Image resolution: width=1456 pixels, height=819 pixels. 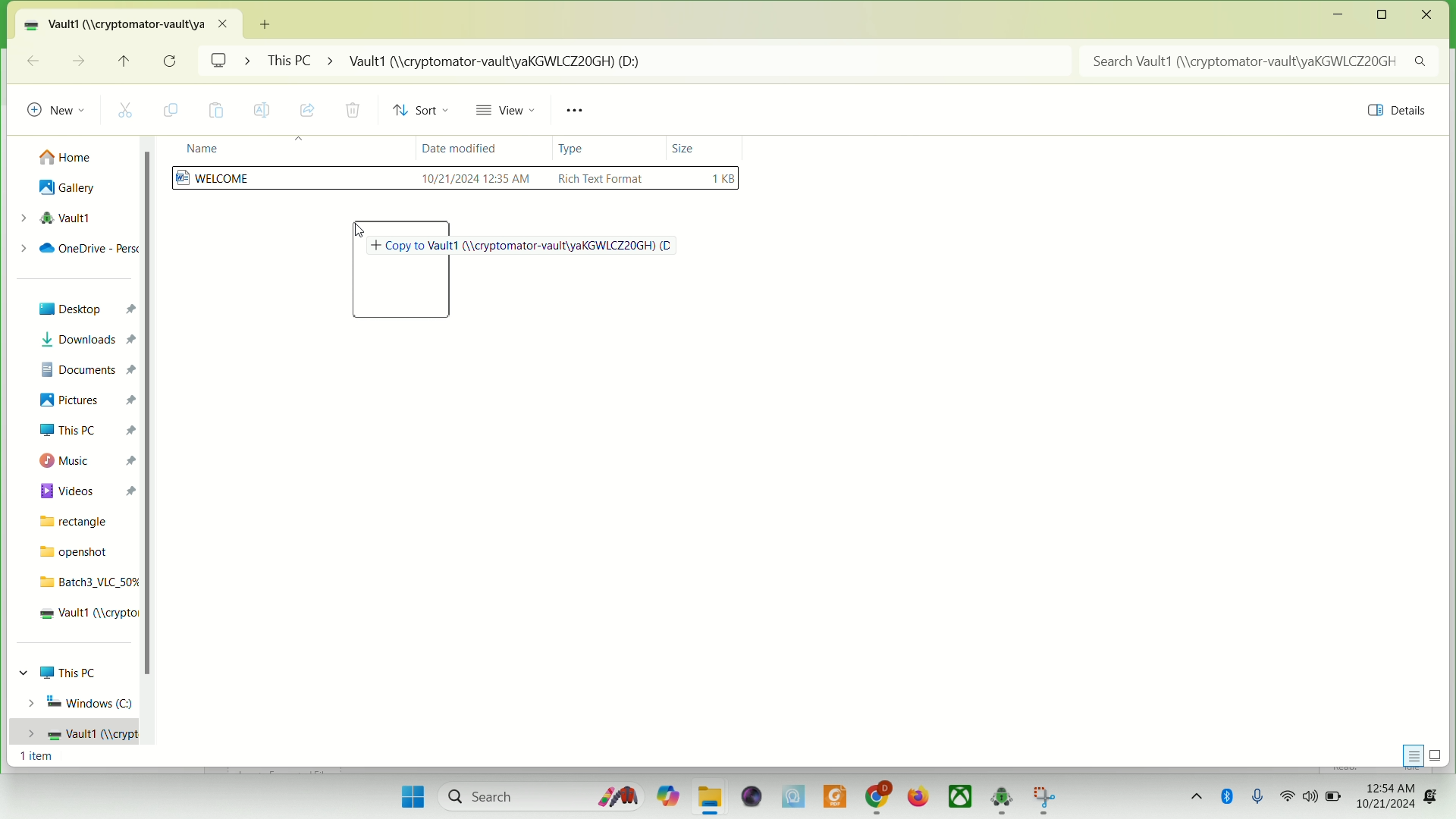 What do you see at coordinates (1309, 799) in the screenshot?
I see `speaker` at bounding box center [1309, 799].